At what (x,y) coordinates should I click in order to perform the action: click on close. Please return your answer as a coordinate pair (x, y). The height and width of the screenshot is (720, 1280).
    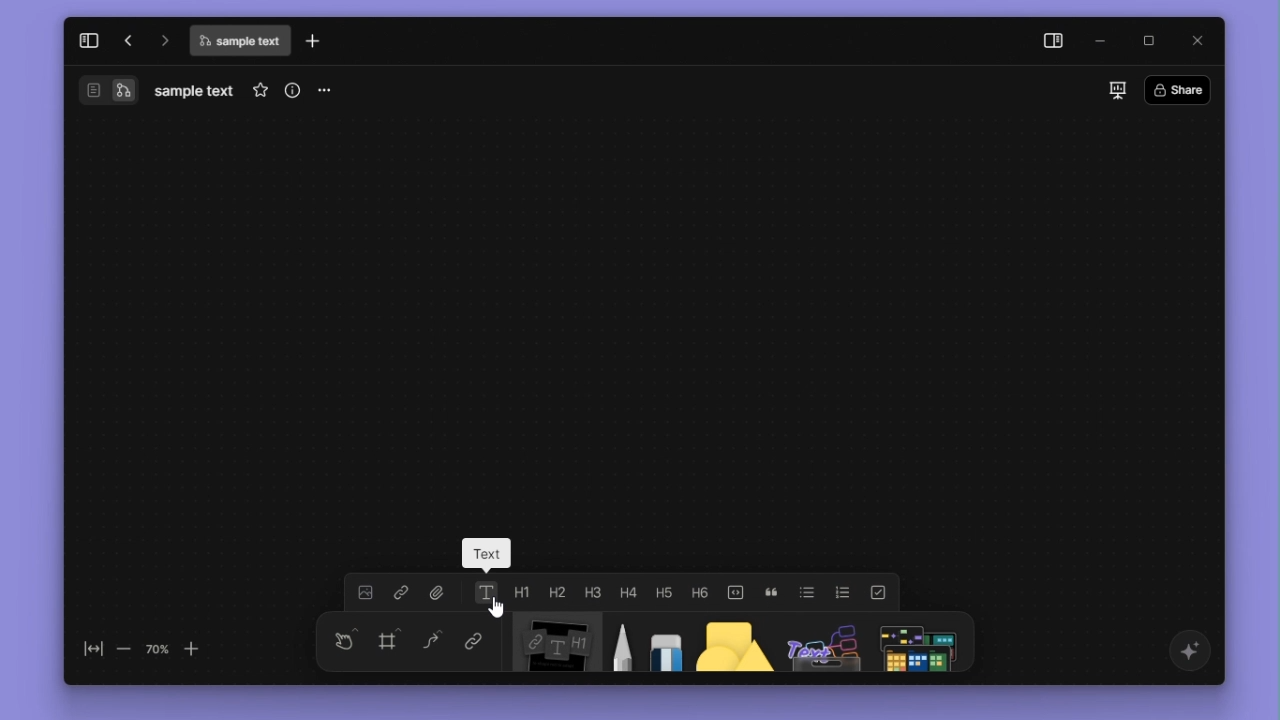
    Looking at the image, I should click on (1194, 40).